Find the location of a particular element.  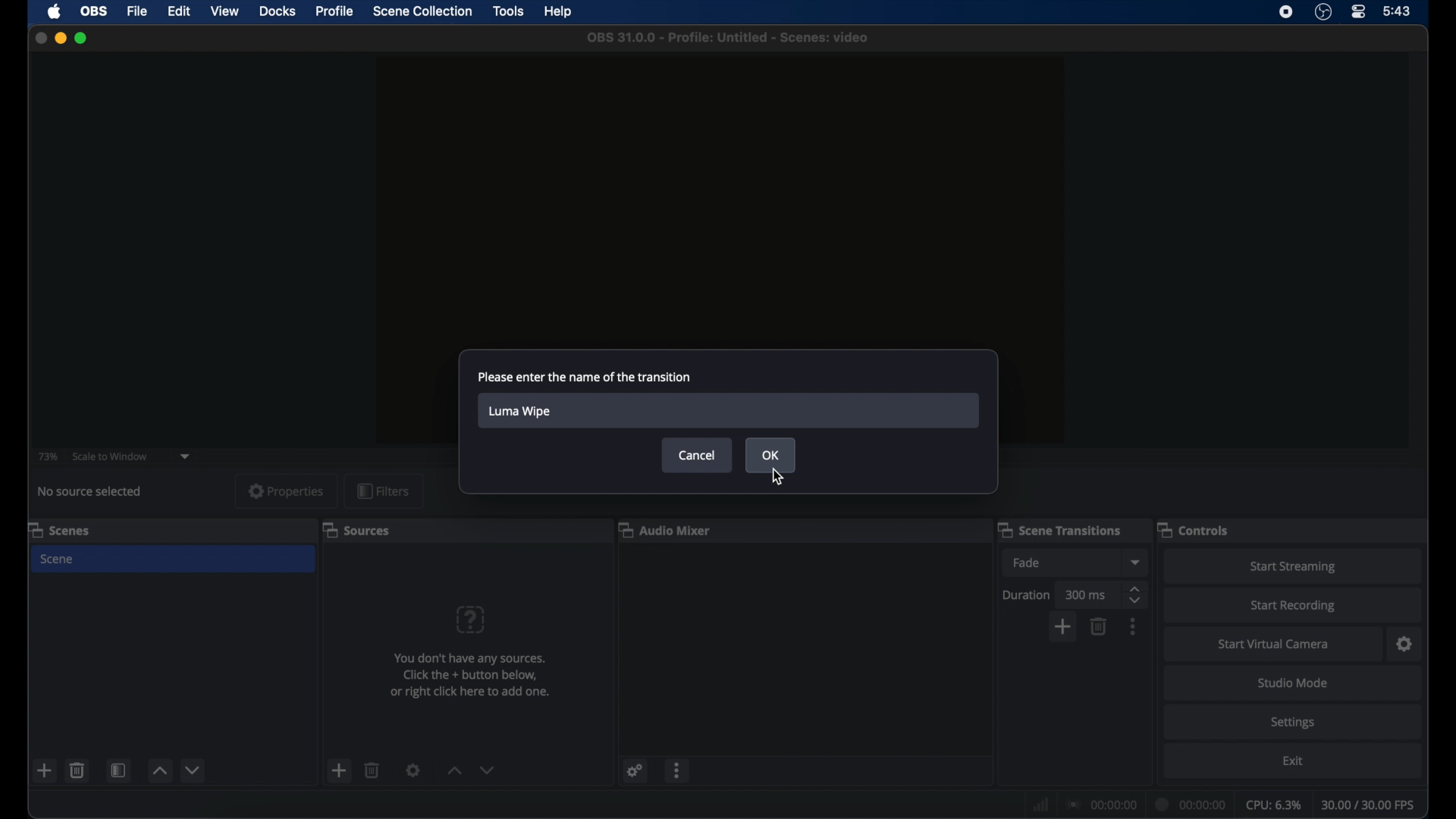

studio mode is located at coordinates (1293, 683).